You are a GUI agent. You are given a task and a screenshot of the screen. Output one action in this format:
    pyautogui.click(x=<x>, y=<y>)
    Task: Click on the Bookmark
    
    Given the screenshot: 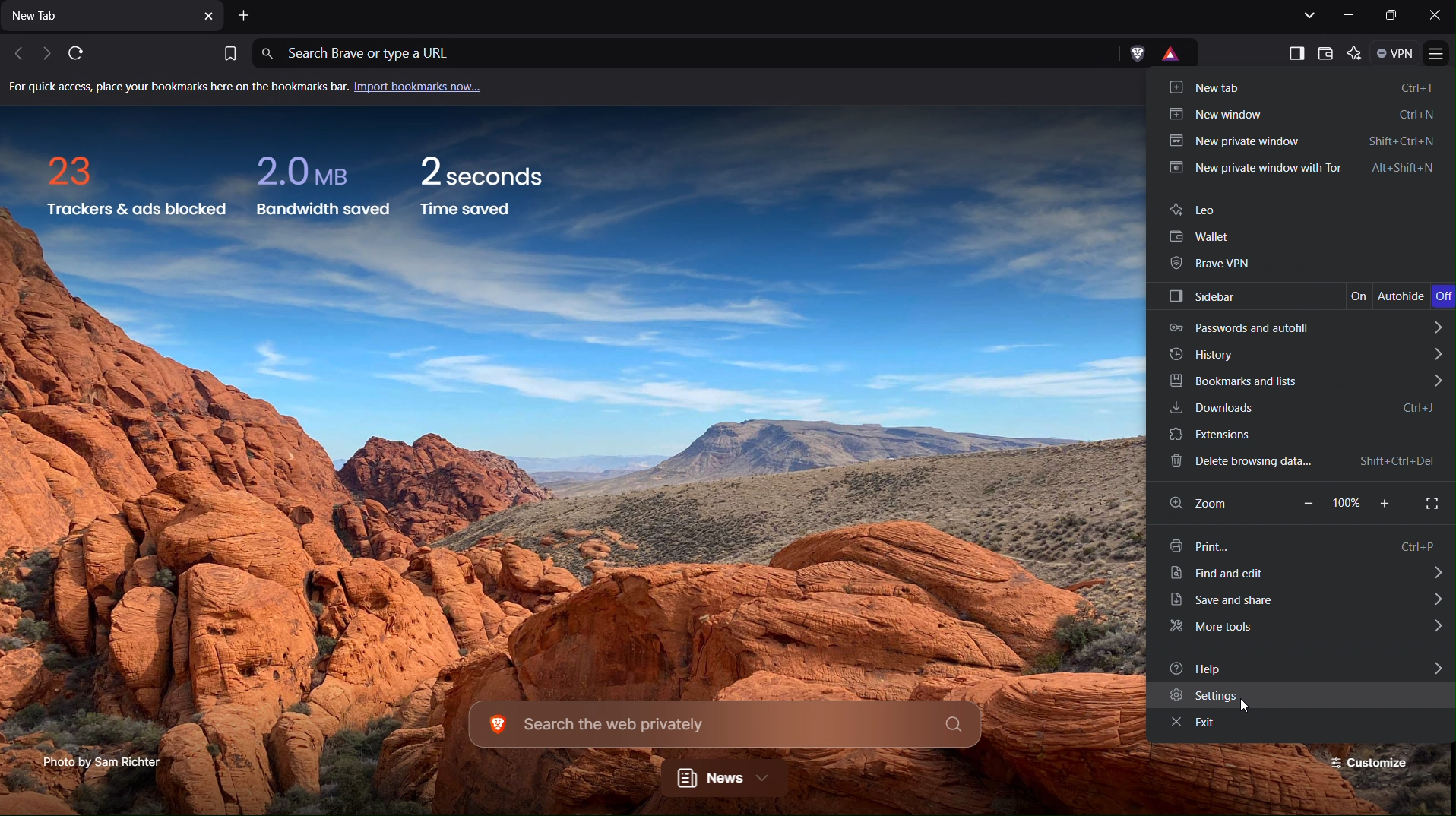 What is the action you would take?
    pyautogui.click(x=227, y=55)
    